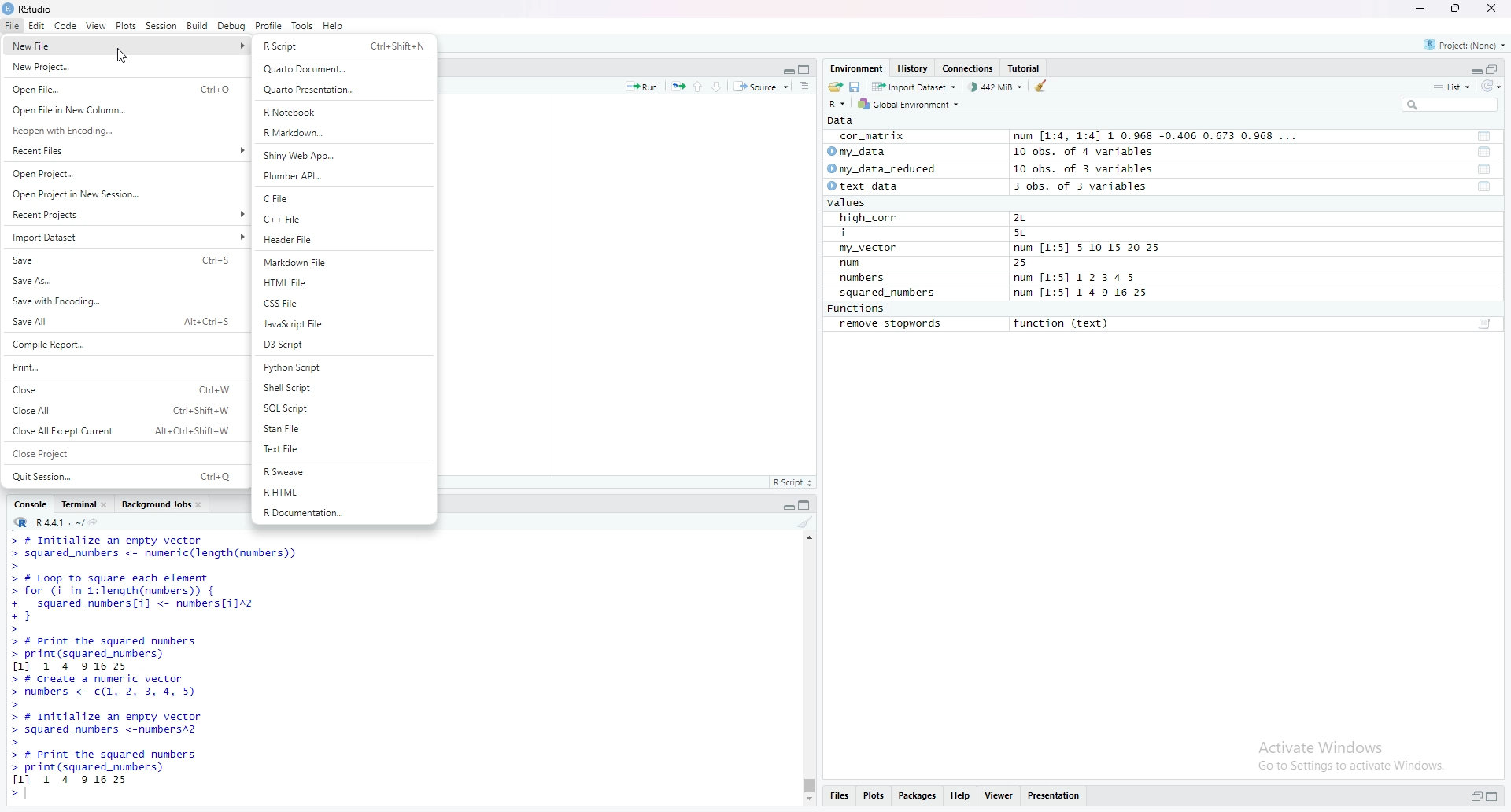 Image resolution: width=1511 pixels, height=812 pixels. Describe the element at coordinates (121, 279) in the screenshot. I see `Save As...` at that location.